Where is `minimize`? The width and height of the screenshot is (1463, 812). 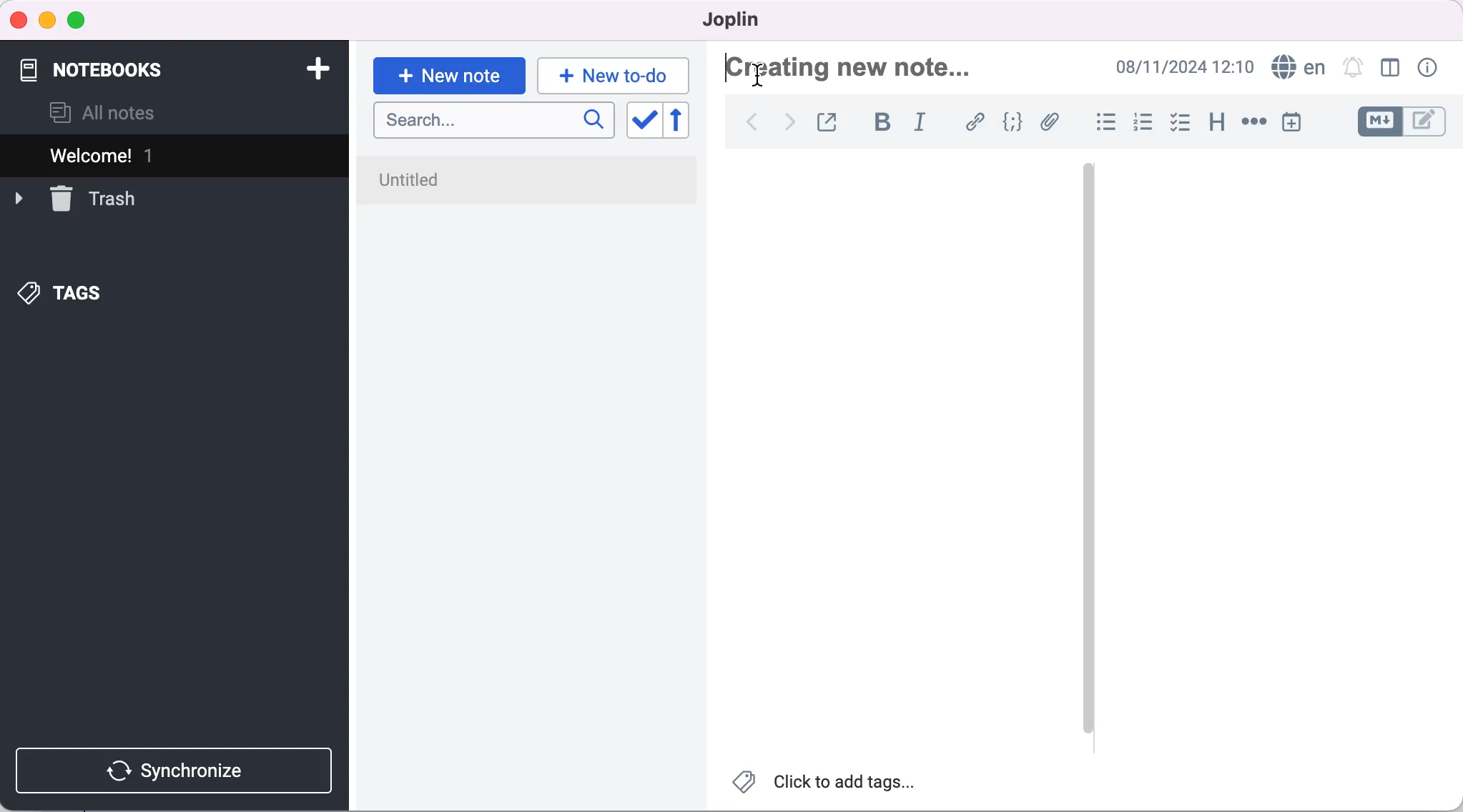
minimize is located at coordinates (49, 19).